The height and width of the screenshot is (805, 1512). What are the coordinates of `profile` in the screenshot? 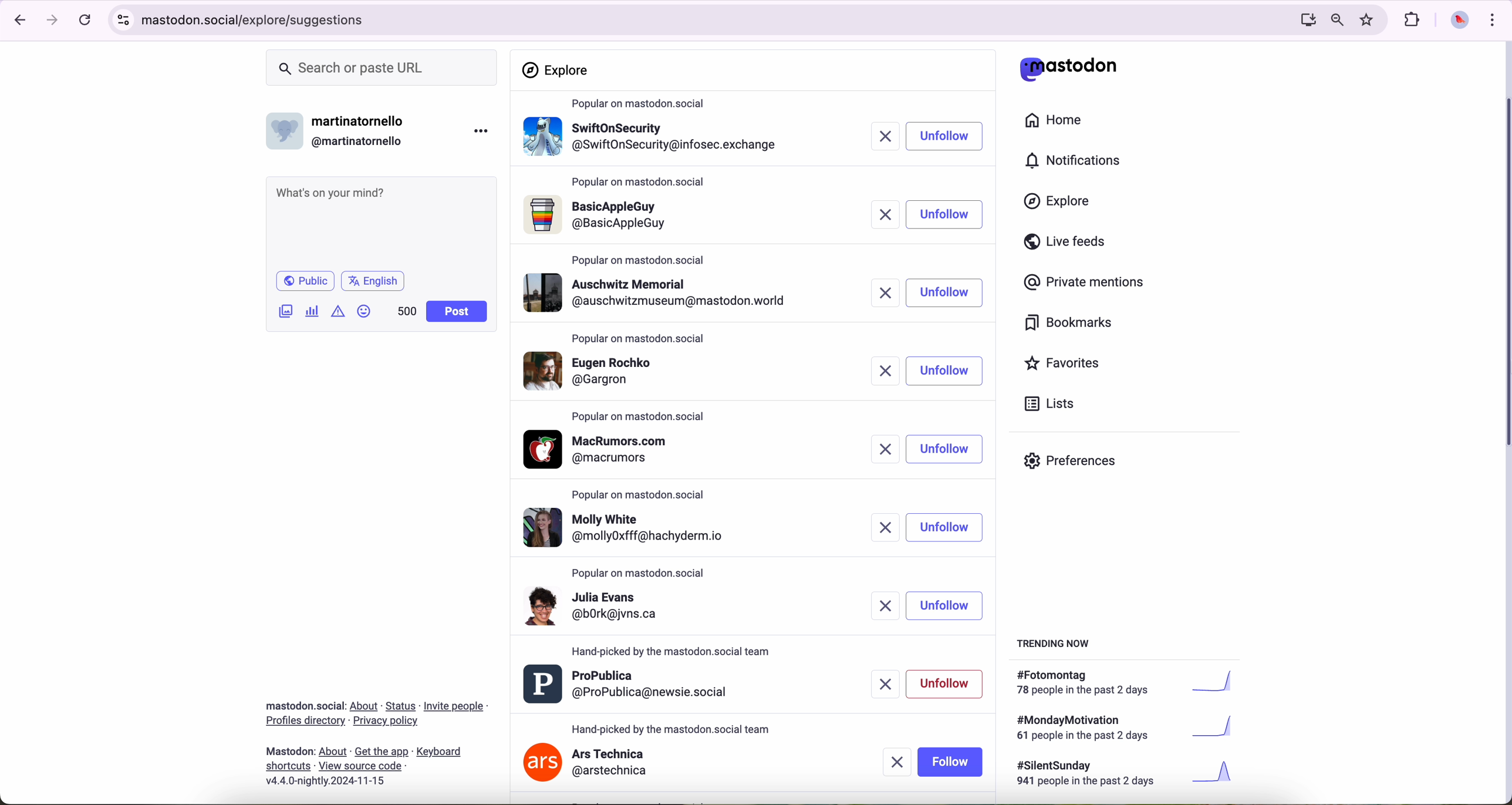 It's located at (629, 685).